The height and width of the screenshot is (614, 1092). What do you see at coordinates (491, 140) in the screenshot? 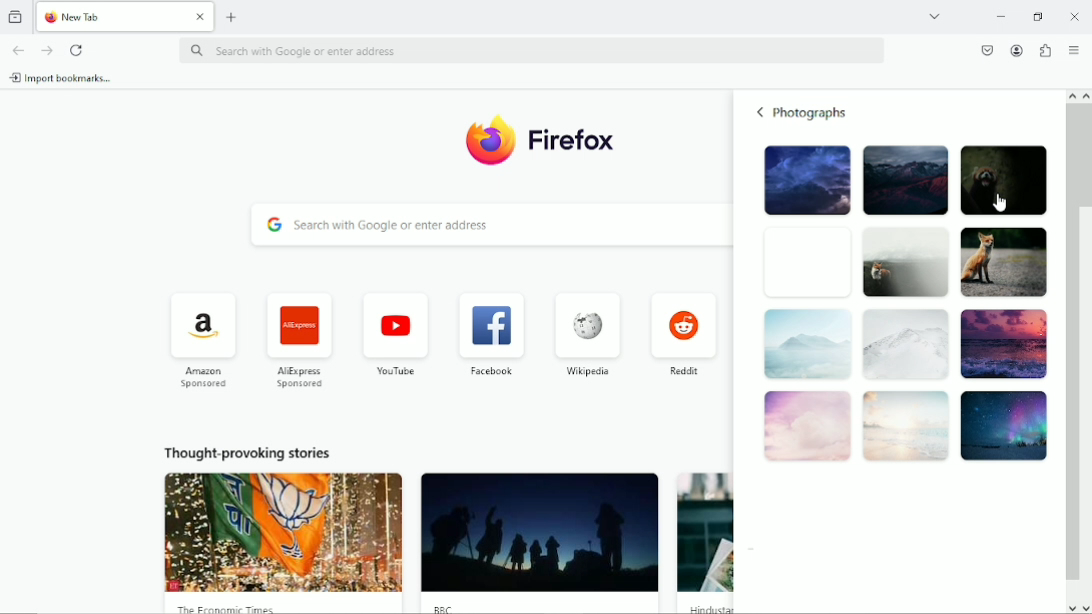
I see `Logo` at bounding box center [491, 140].